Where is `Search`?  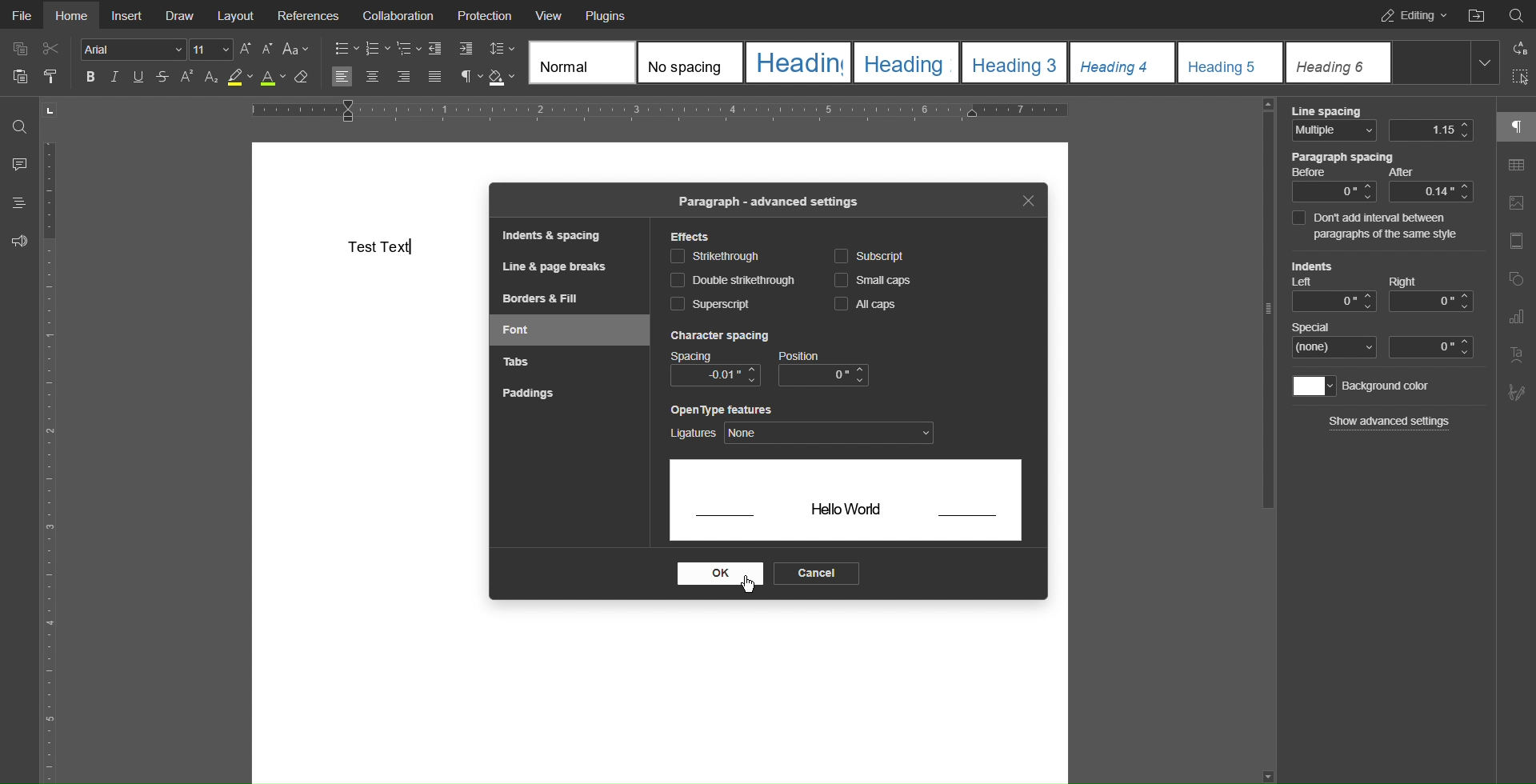 Search is located at coordinates (1516, 13).